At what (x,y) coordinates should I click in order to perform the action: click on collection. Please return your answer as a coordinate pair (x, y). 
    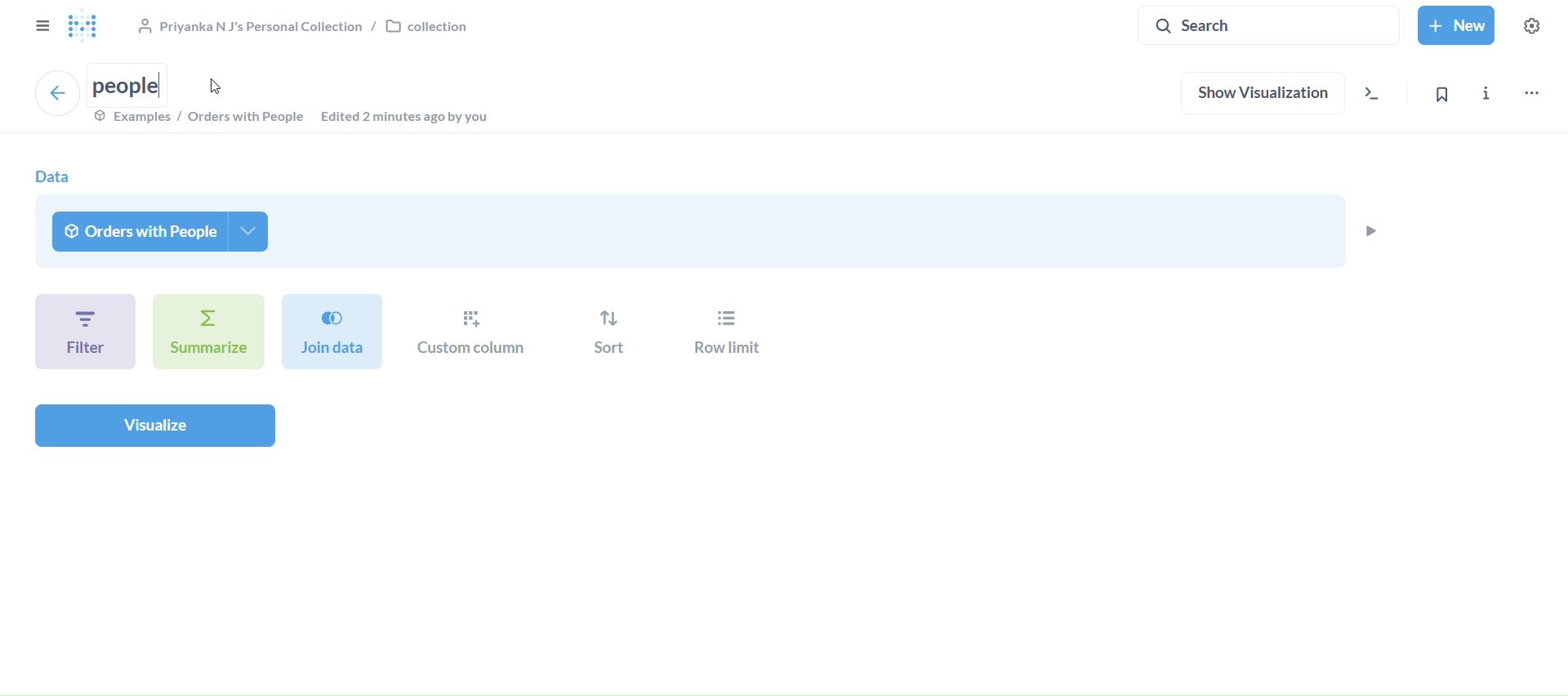
    Looking at the image, I should click on (301, 25).